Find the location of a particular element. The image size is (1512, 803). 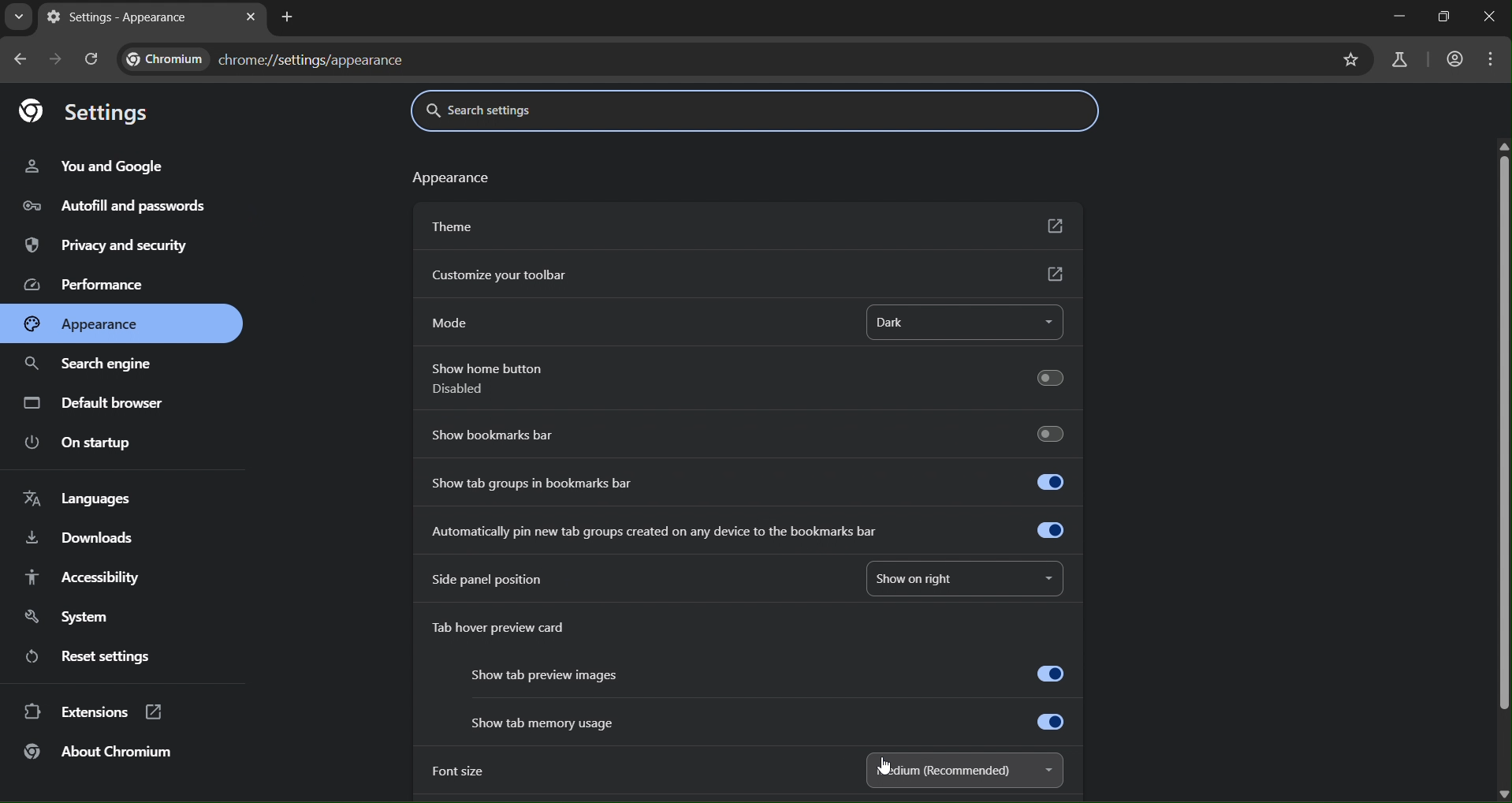

go back one page is located at coordinates (19, 62).